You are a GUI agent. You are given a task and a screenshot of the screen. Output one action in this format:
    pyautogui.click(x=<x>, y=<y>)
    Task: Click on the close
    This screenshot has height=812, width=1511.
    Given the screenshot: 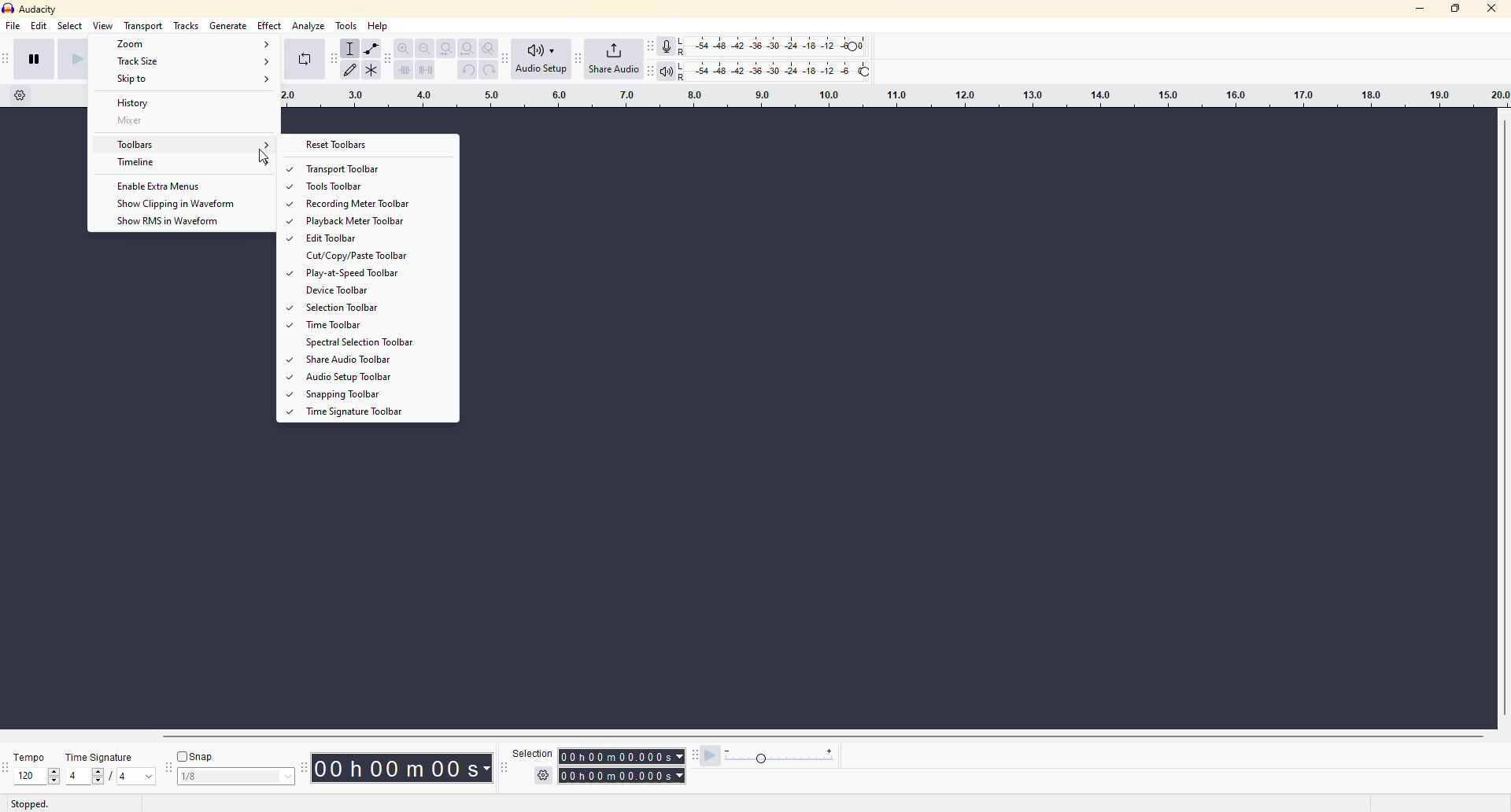 What is the action you would take?
    pyautogui.click(x=1492, y=9)
    